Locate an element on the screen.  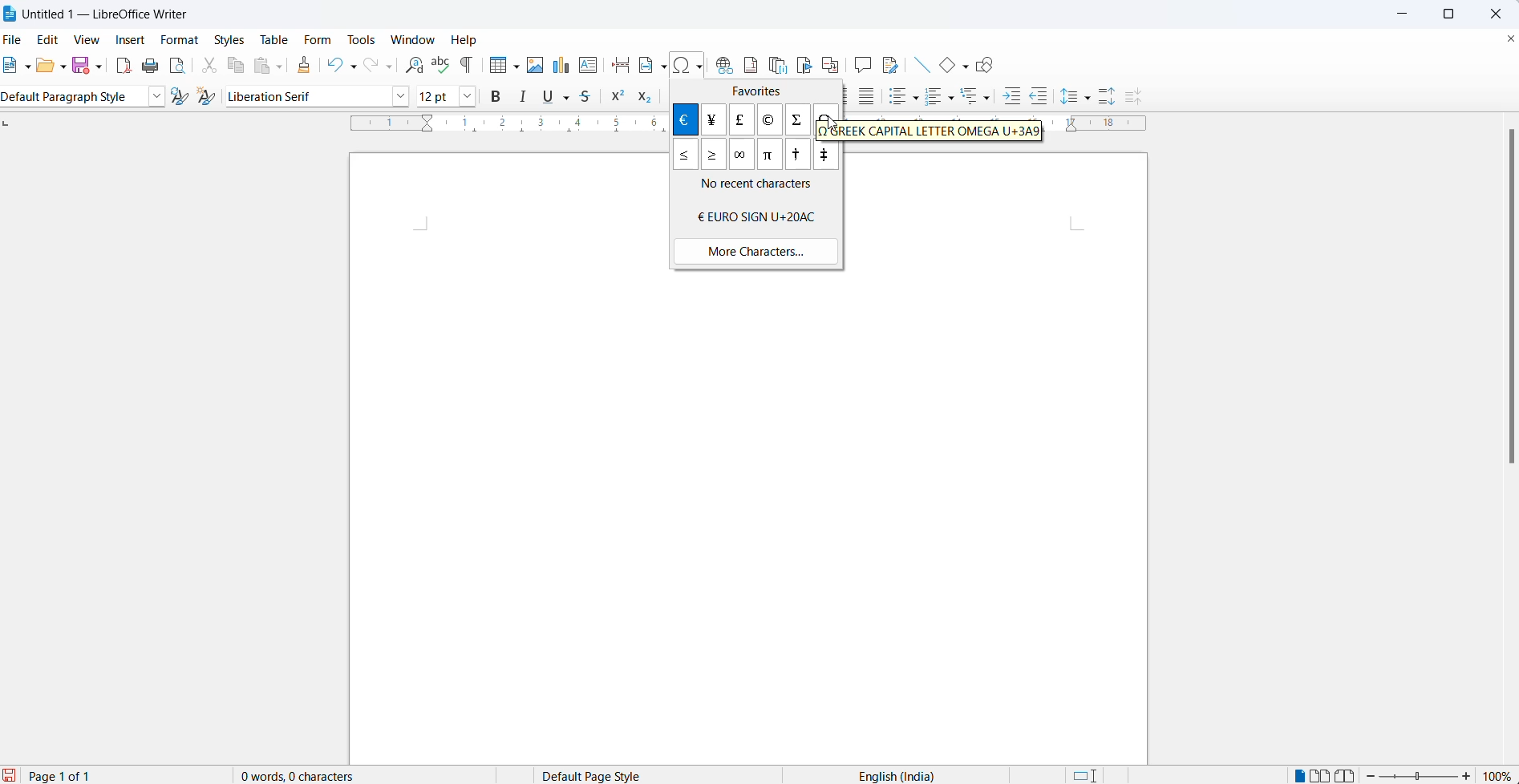
set line spacing is located at coordinates (1067, 98).